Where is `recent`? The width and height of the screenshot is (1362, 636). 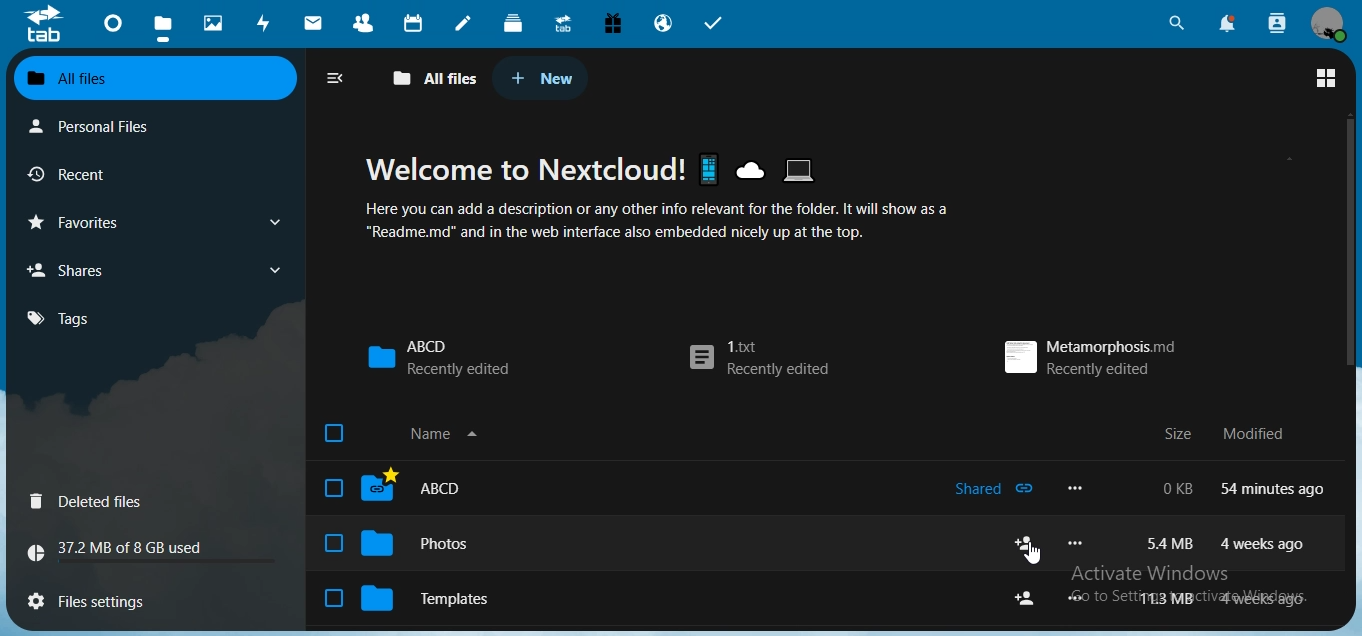
recent is located at coordinates (103, 175).